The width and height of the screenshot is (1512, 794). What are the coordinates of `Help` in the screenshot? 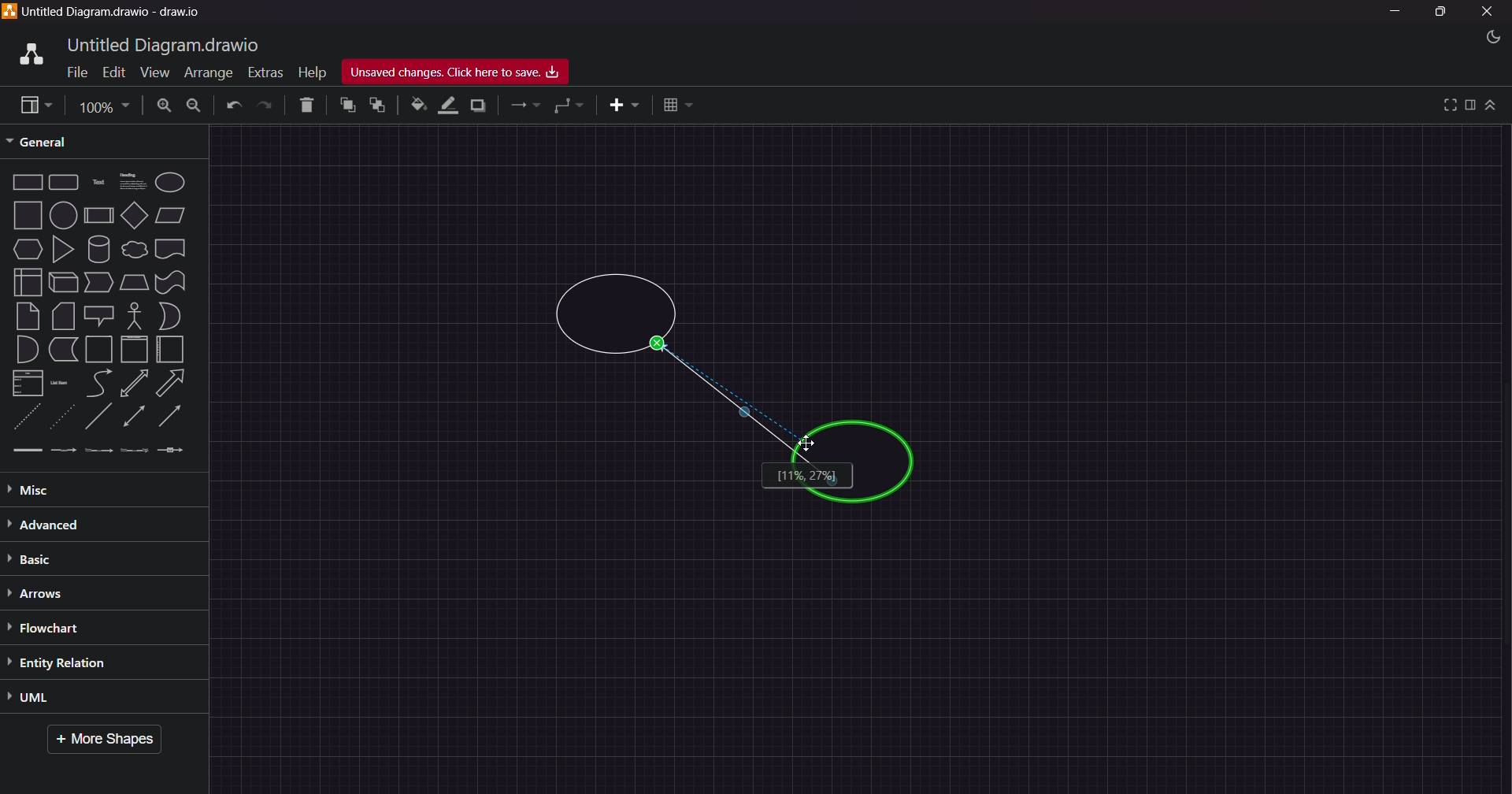 It's located at (312, 69).